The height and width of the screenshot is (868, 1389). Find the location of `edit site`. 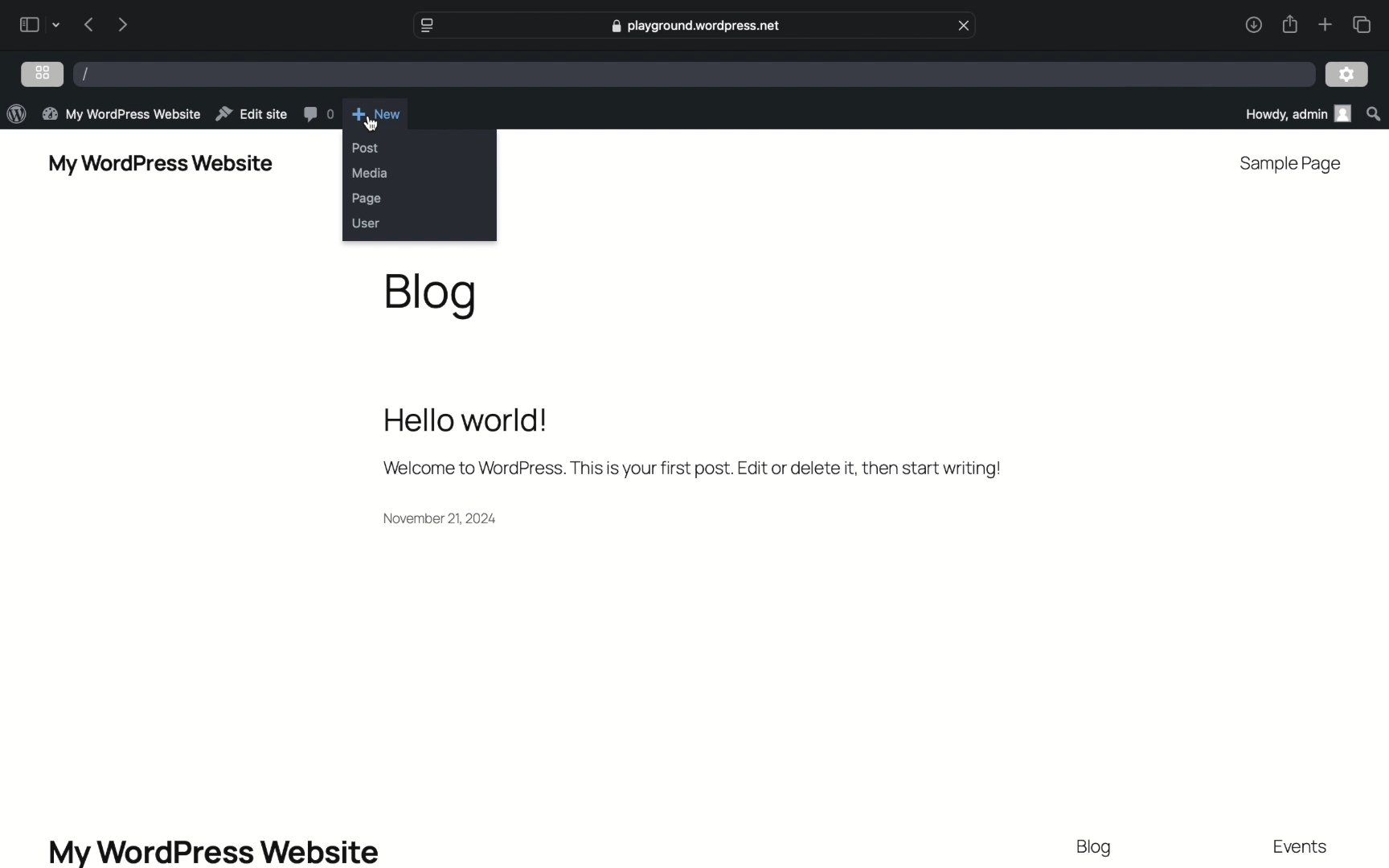

edit site is located at coordinates (251, 113).